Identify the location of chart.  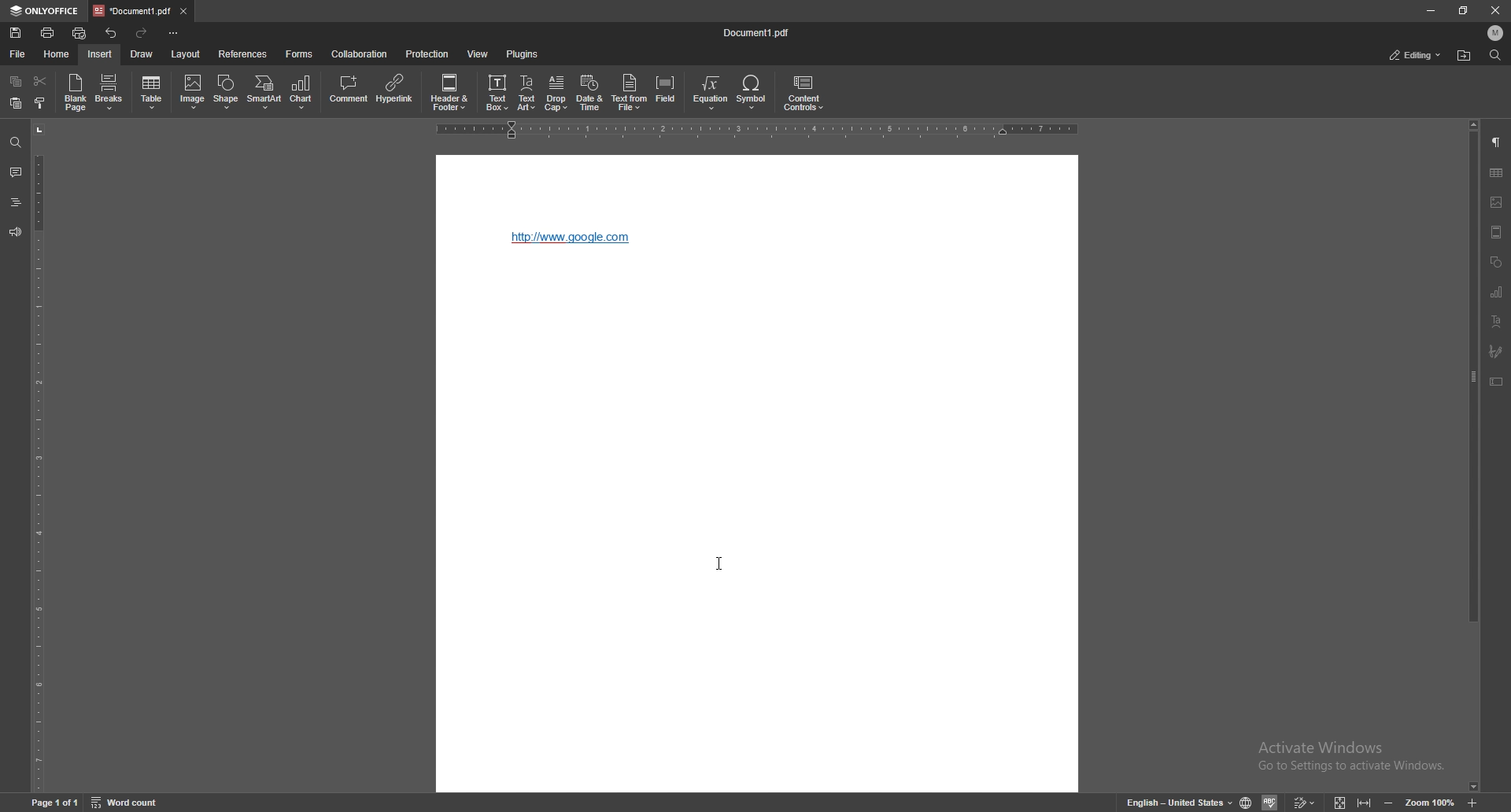
(302, 93).